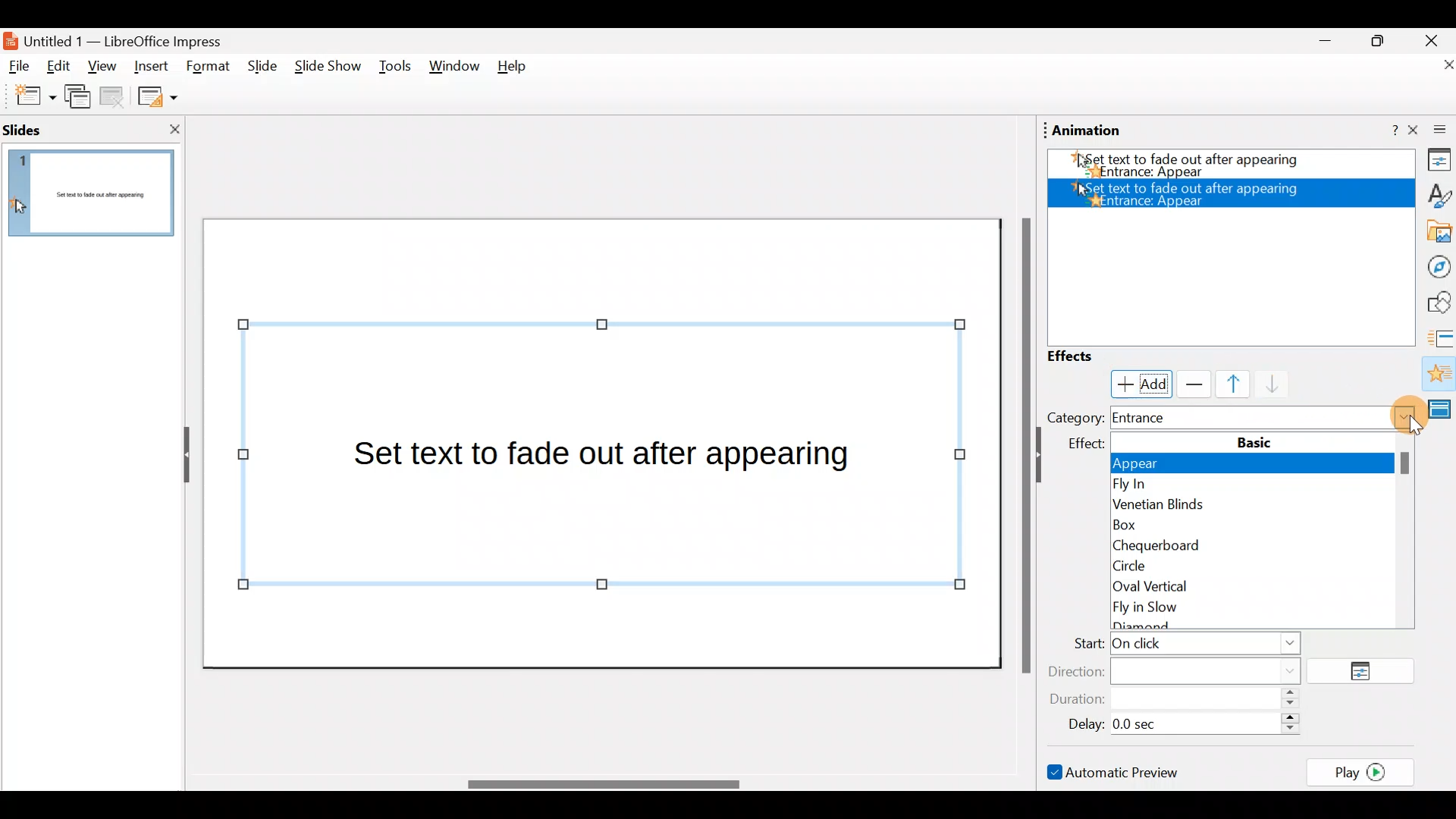 Image resolution: width=1456 pixels, height=819 pixels. I want to click on CURSOR, so click(1411, 425).